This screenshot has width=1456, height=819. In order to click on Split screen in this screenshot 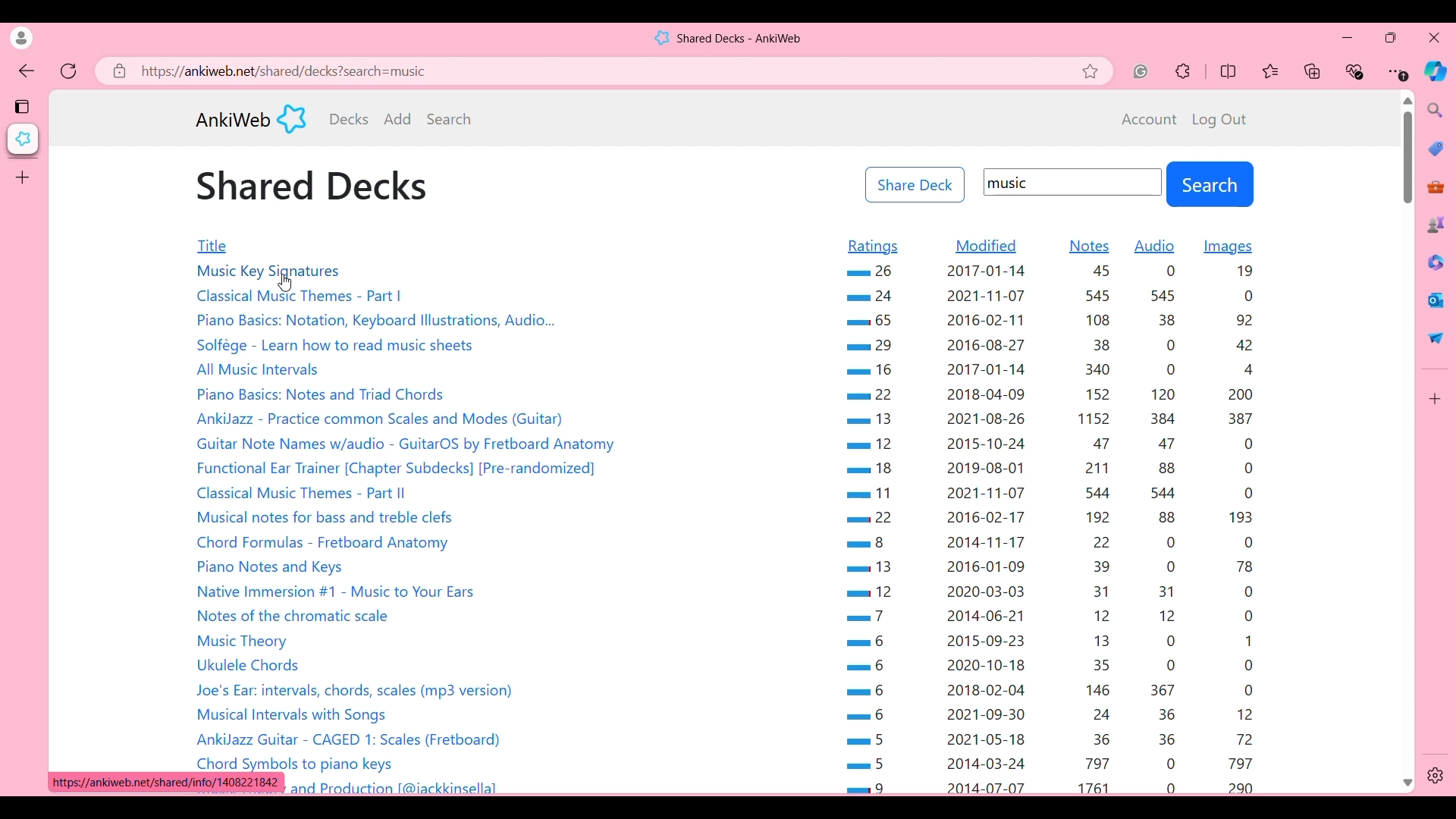, I will do `click(1228, 71)`.